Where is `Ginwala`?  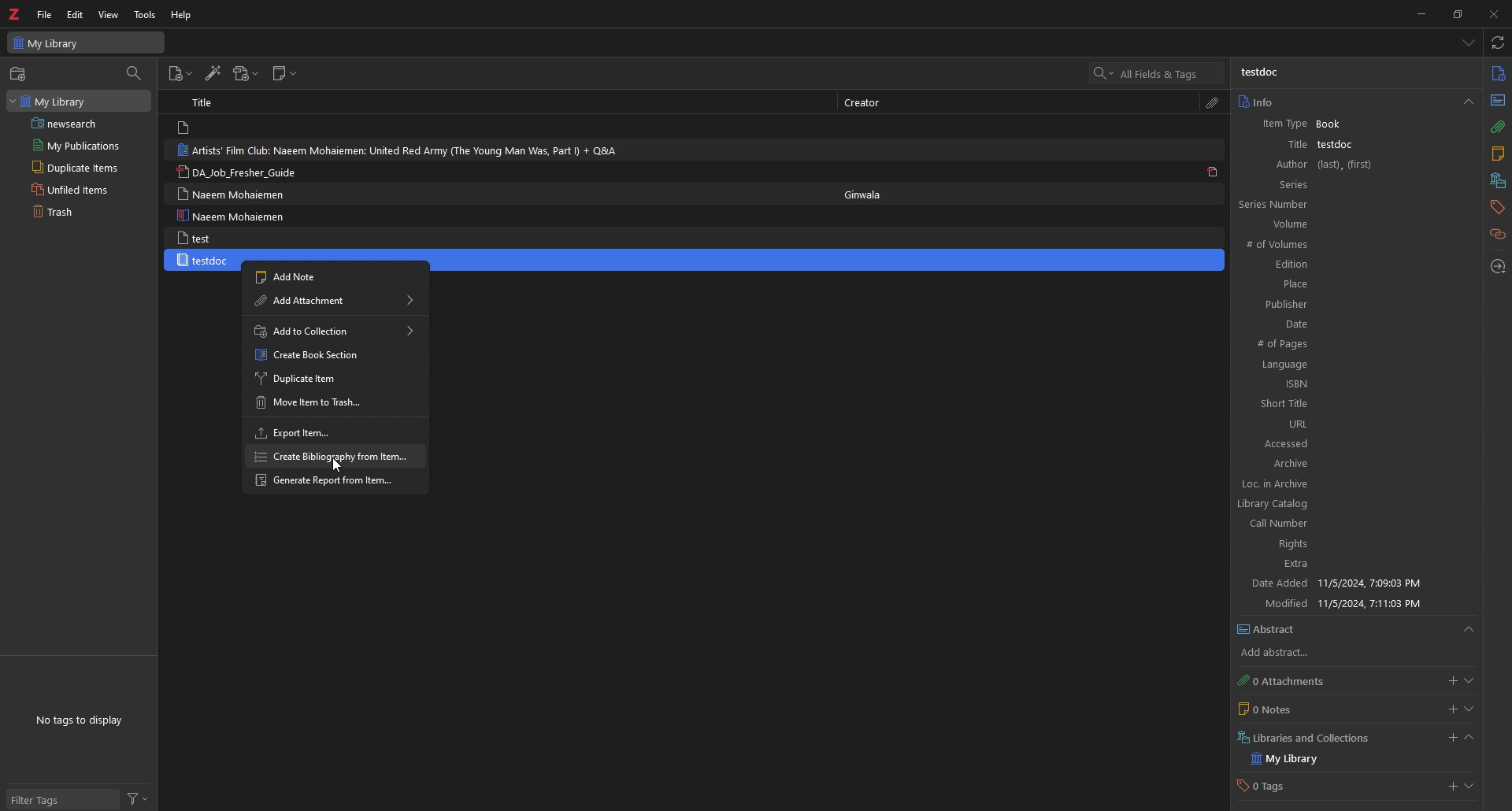
Ginwala is located at coordinates (870, 192).